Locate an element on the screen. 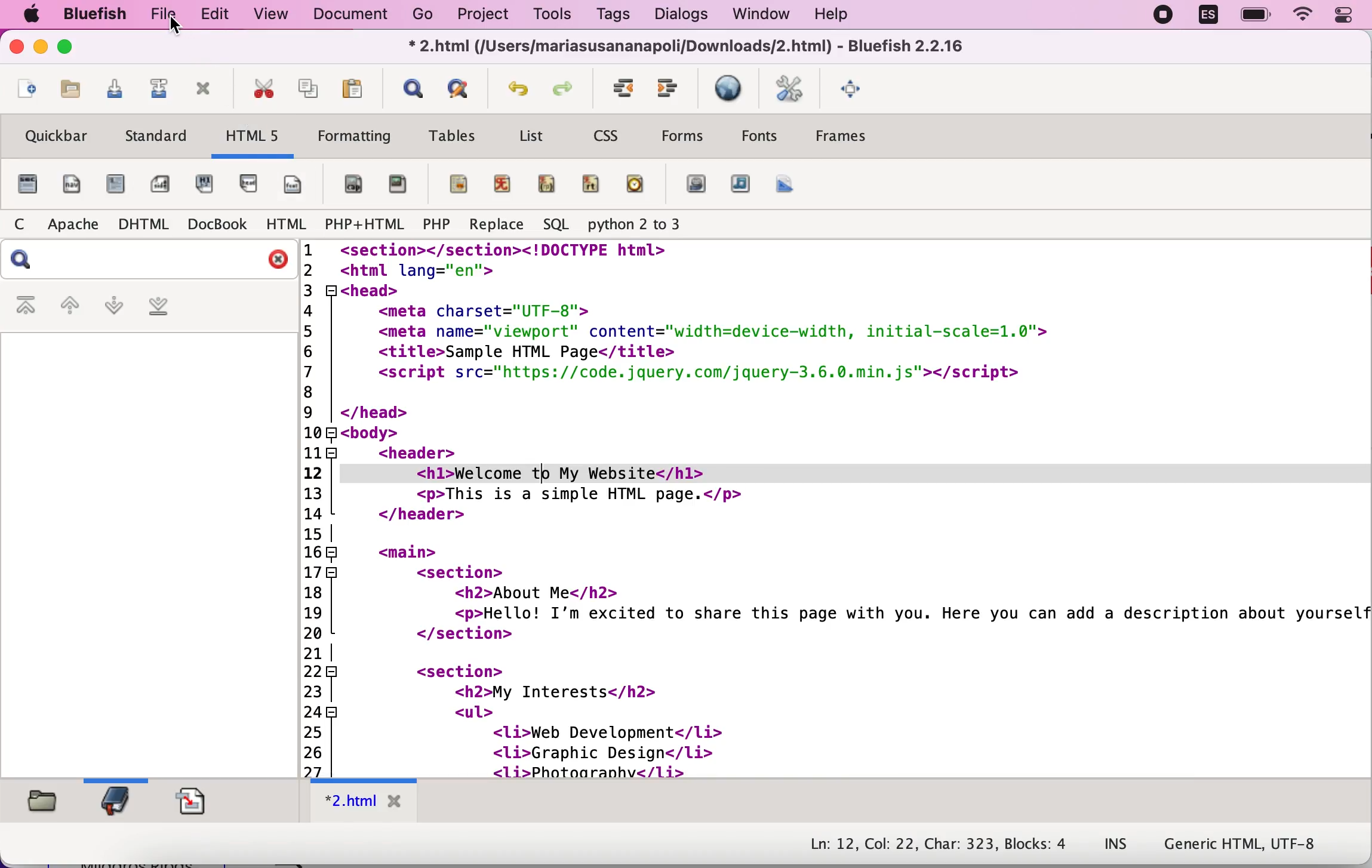 This screenshot has width=1372, height=868. standard is located at coordinates (153, 138).